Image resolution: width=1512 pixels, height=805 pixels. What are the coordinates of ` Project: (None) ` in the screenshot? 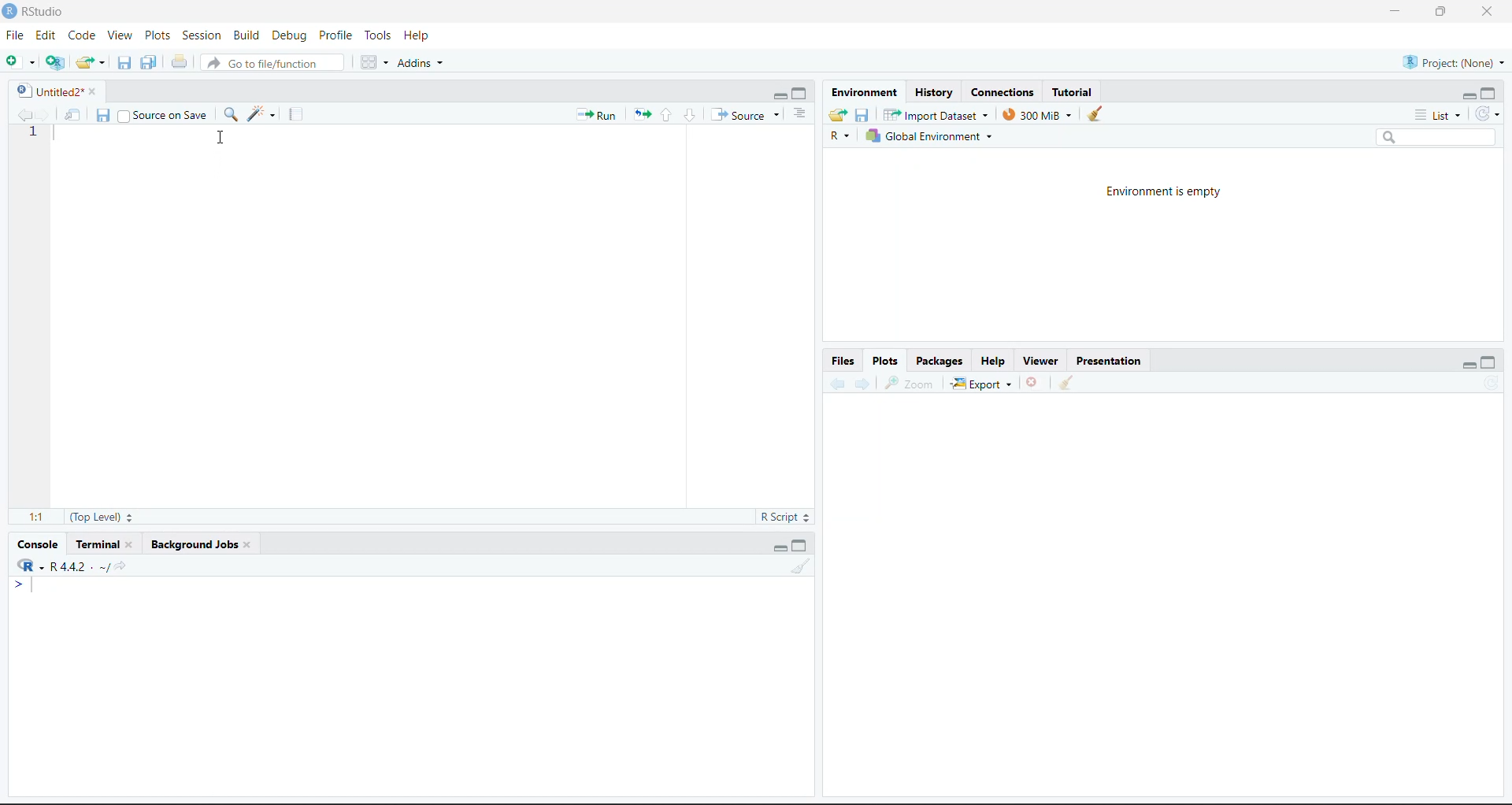 It's located at (1452, 61).